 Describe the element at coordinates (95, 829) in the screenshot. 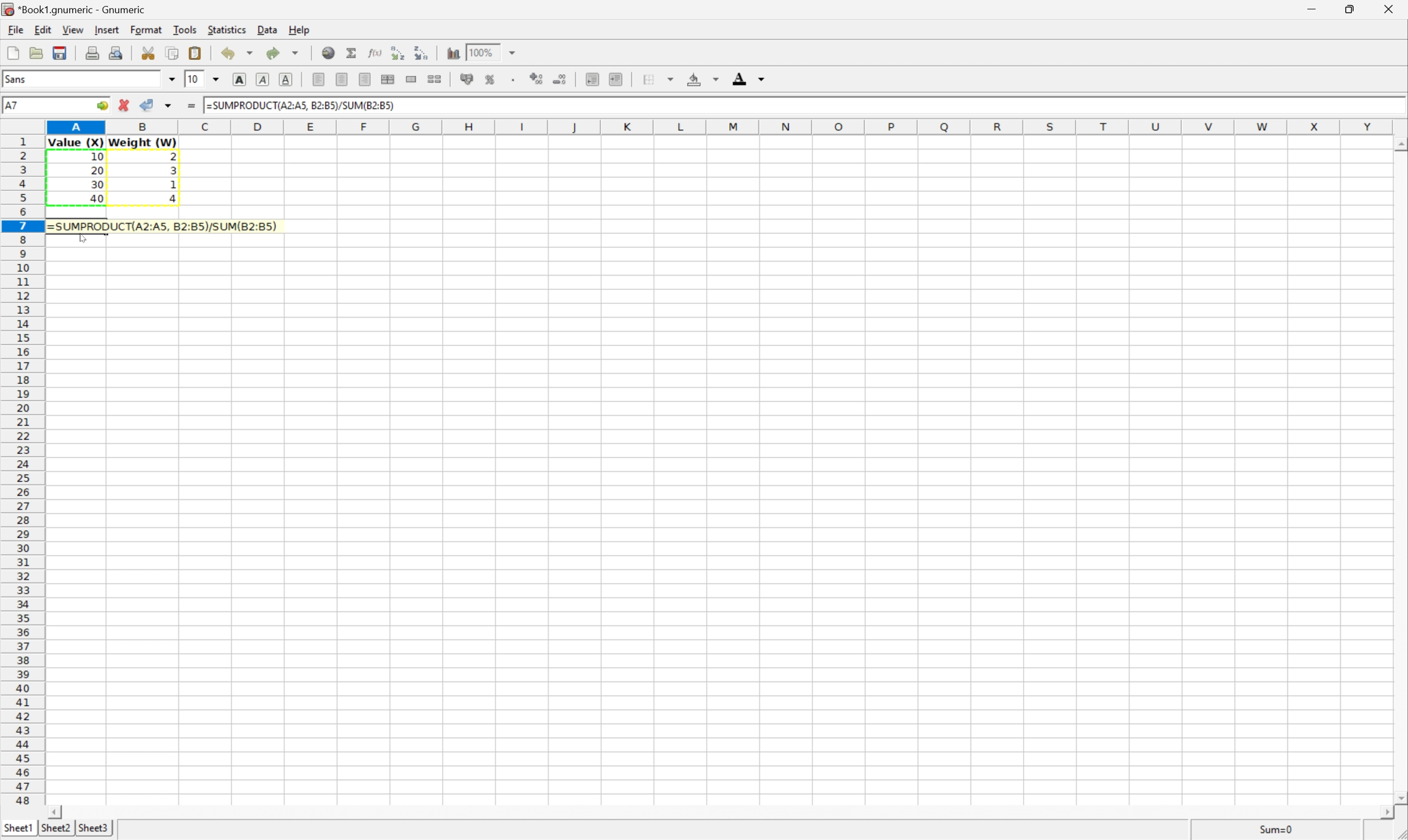

I see `Sheet3` at that location.